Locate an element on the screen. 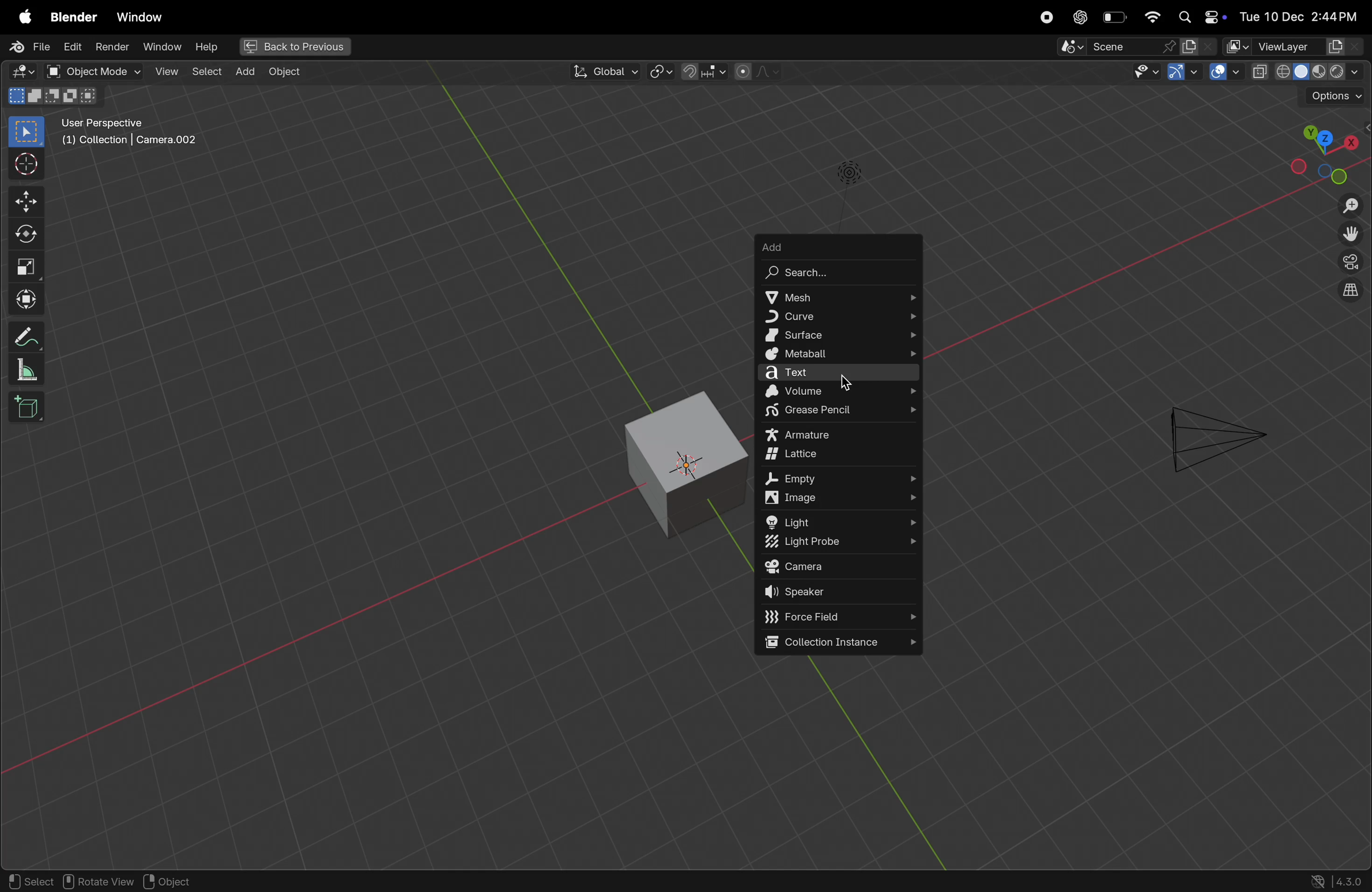  camera is located at coordinates (1213, 434).